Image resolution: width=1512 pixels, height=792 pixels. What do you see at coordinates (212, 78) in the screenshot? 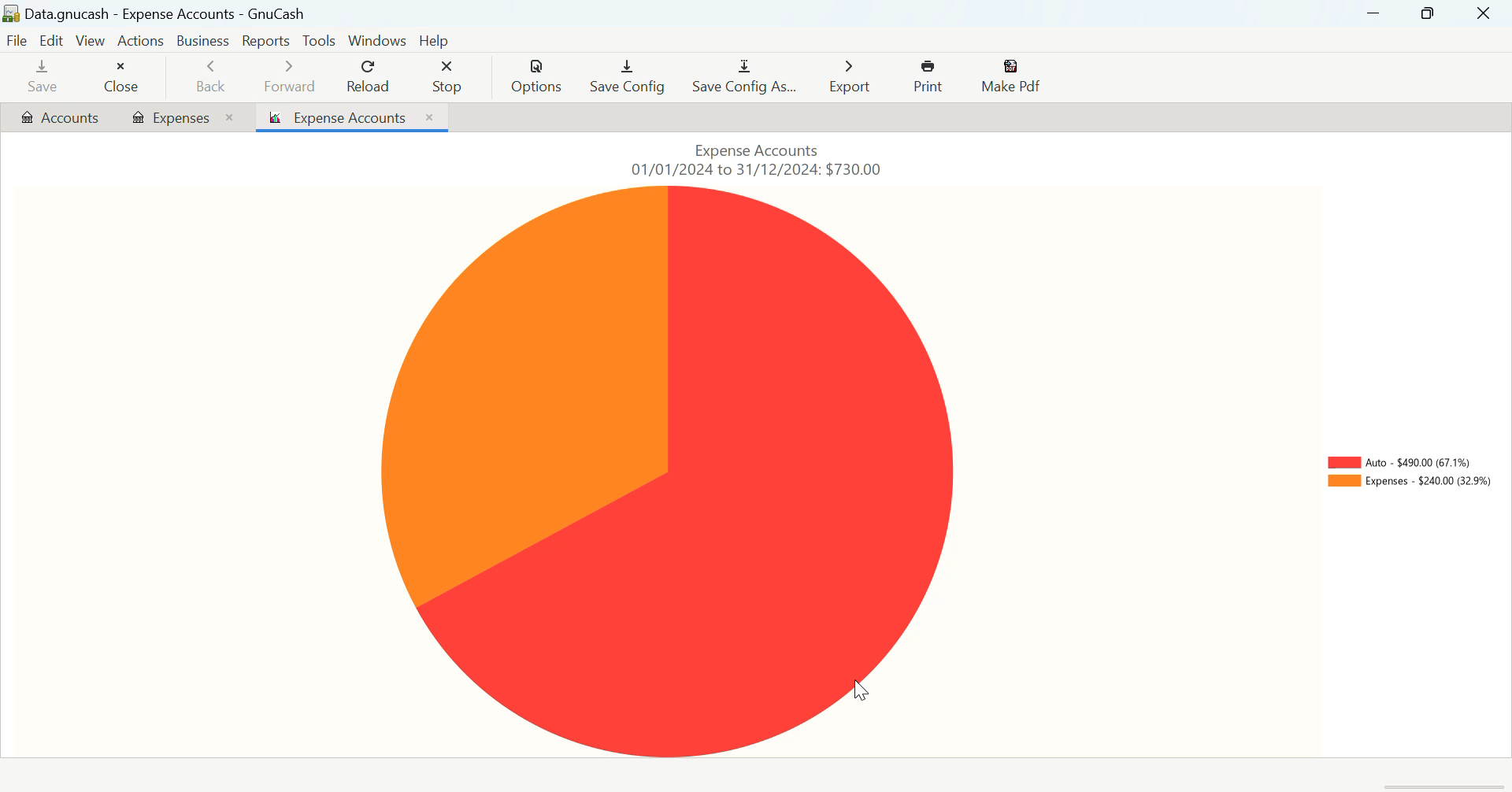
I see `Back` at bounding box center [212, 78].